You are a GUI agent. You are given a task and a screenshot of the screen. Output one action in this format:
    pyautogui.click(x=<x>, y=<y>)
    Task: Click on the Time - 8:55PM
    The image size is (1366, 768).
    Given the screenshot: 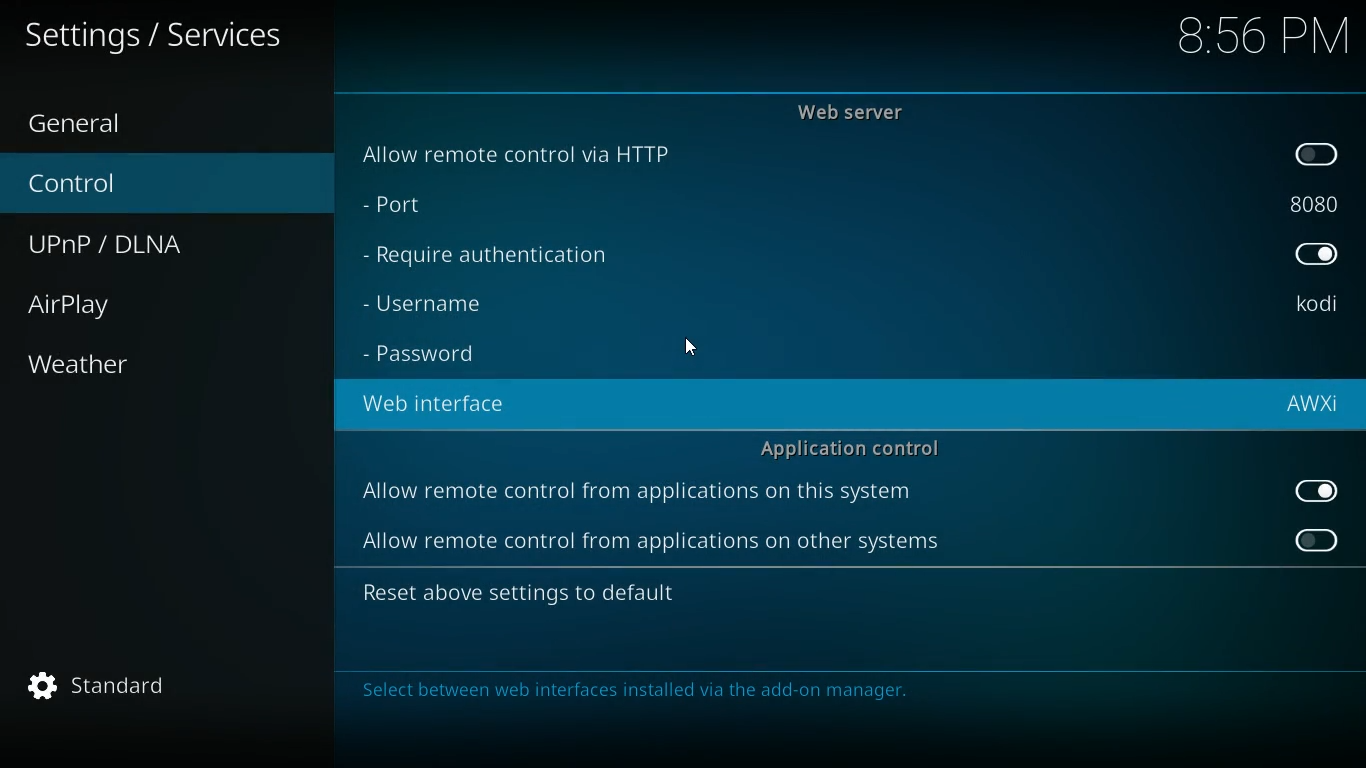 What is the action you would take?
    pyautogui.click(x=1263, y=37)
    